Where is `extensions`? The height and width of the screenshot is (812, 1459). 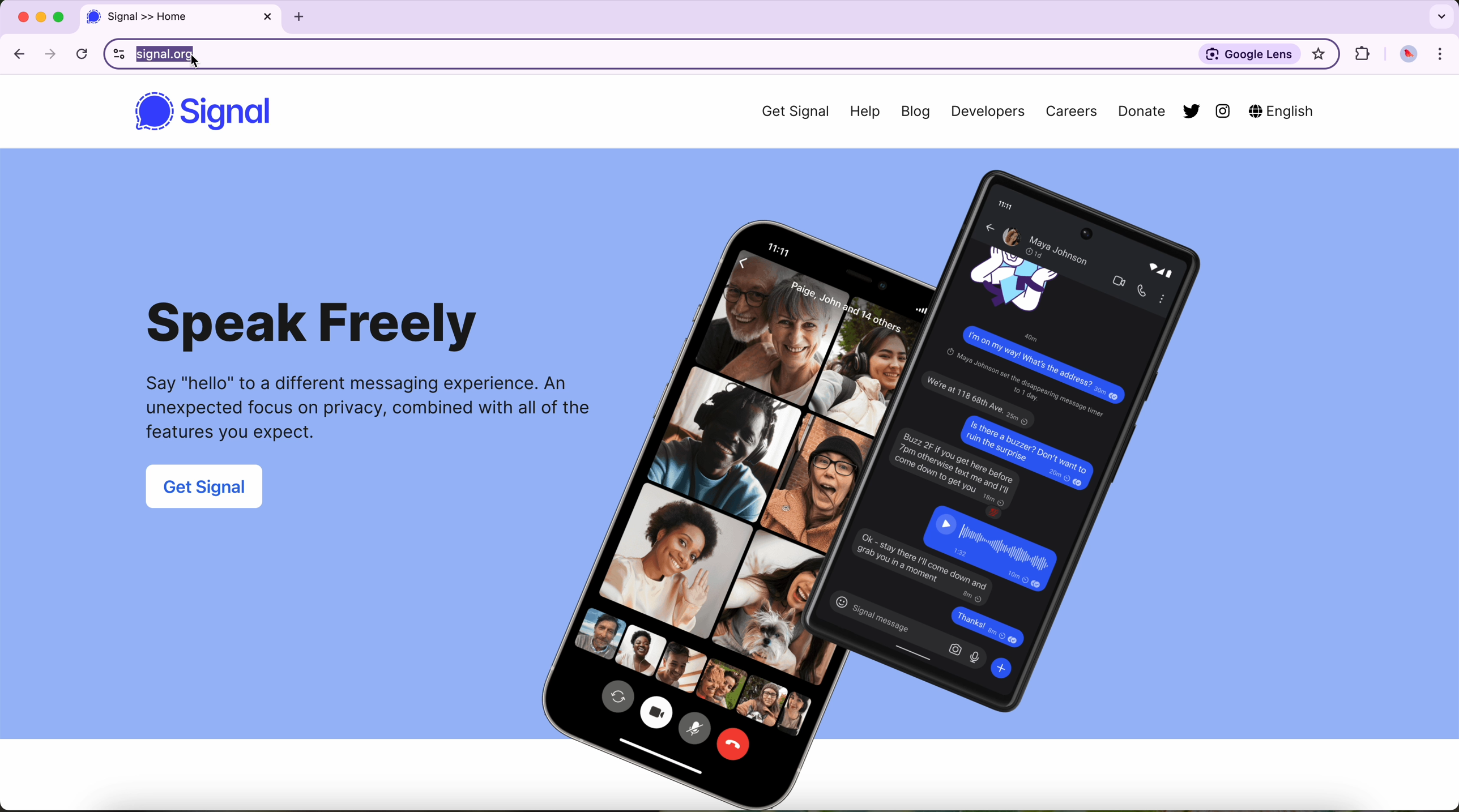 extensions is located at coordinates (1363, 54).